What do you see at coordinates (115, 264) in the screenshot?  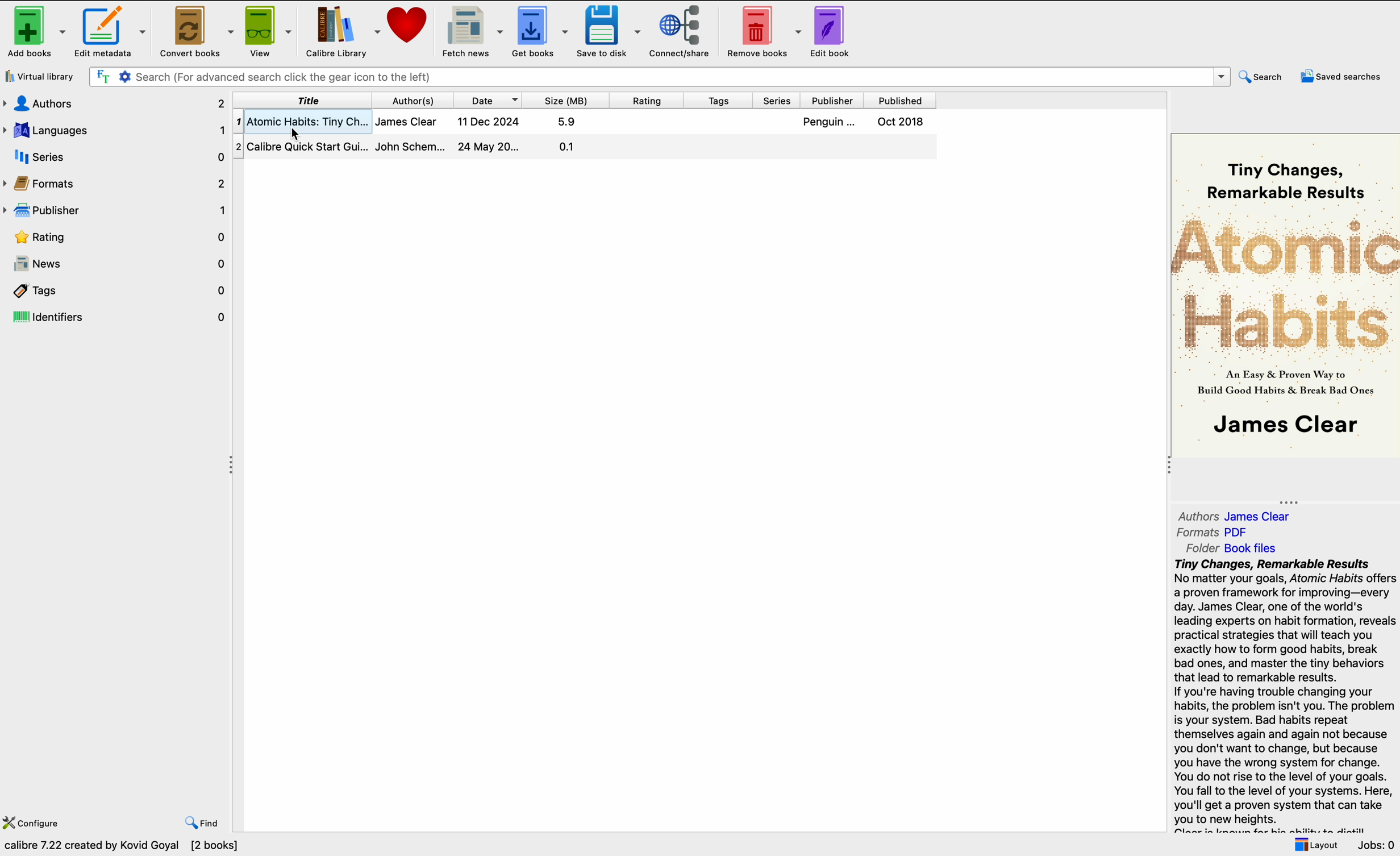 I see `news` at bounding box center [115, 264].